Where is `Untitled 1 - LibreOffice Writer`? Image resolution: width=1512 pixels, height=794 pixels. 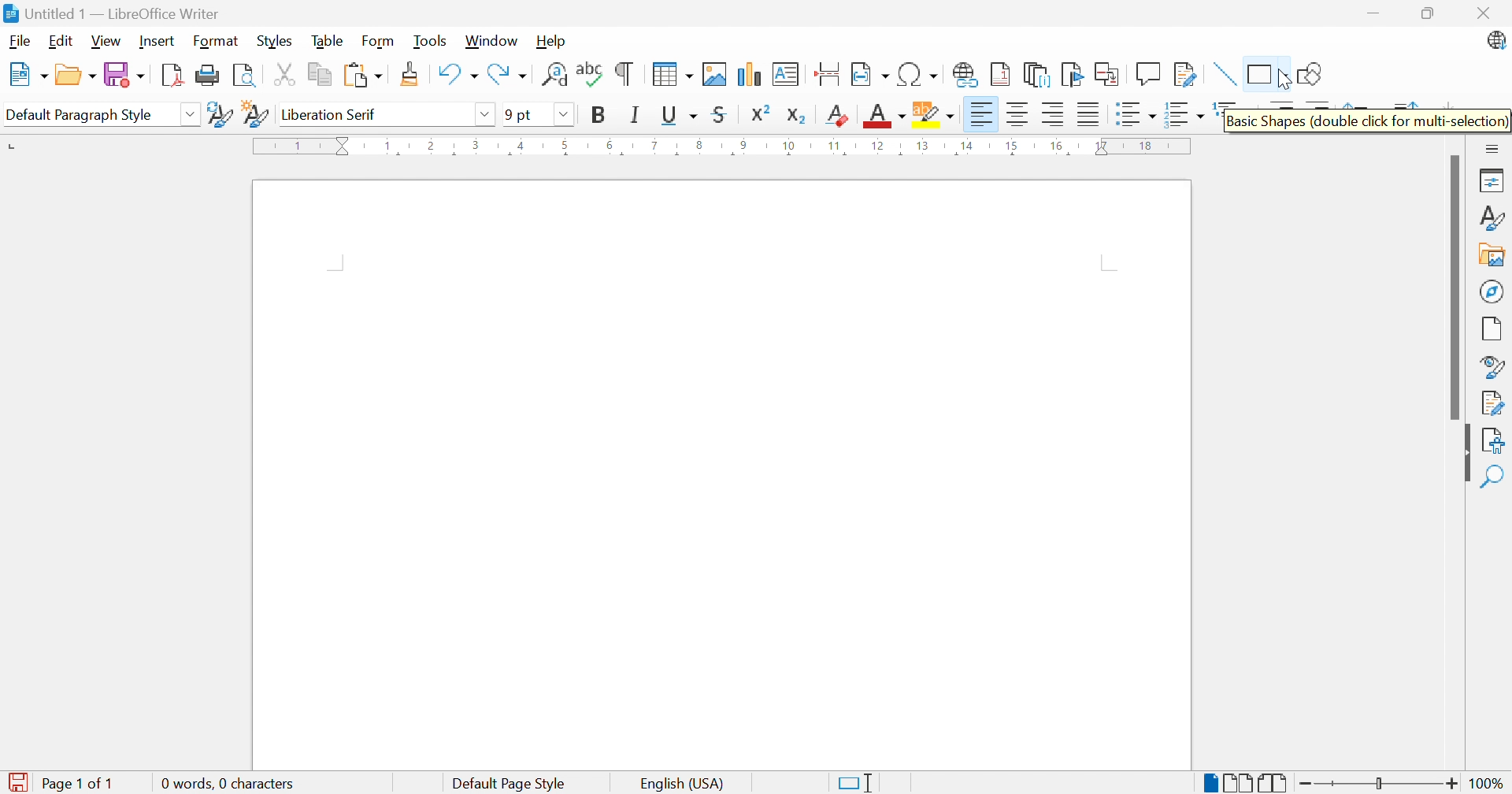 Untitled 1 - LibreOffice Writer is located at coordinates (111, 13).